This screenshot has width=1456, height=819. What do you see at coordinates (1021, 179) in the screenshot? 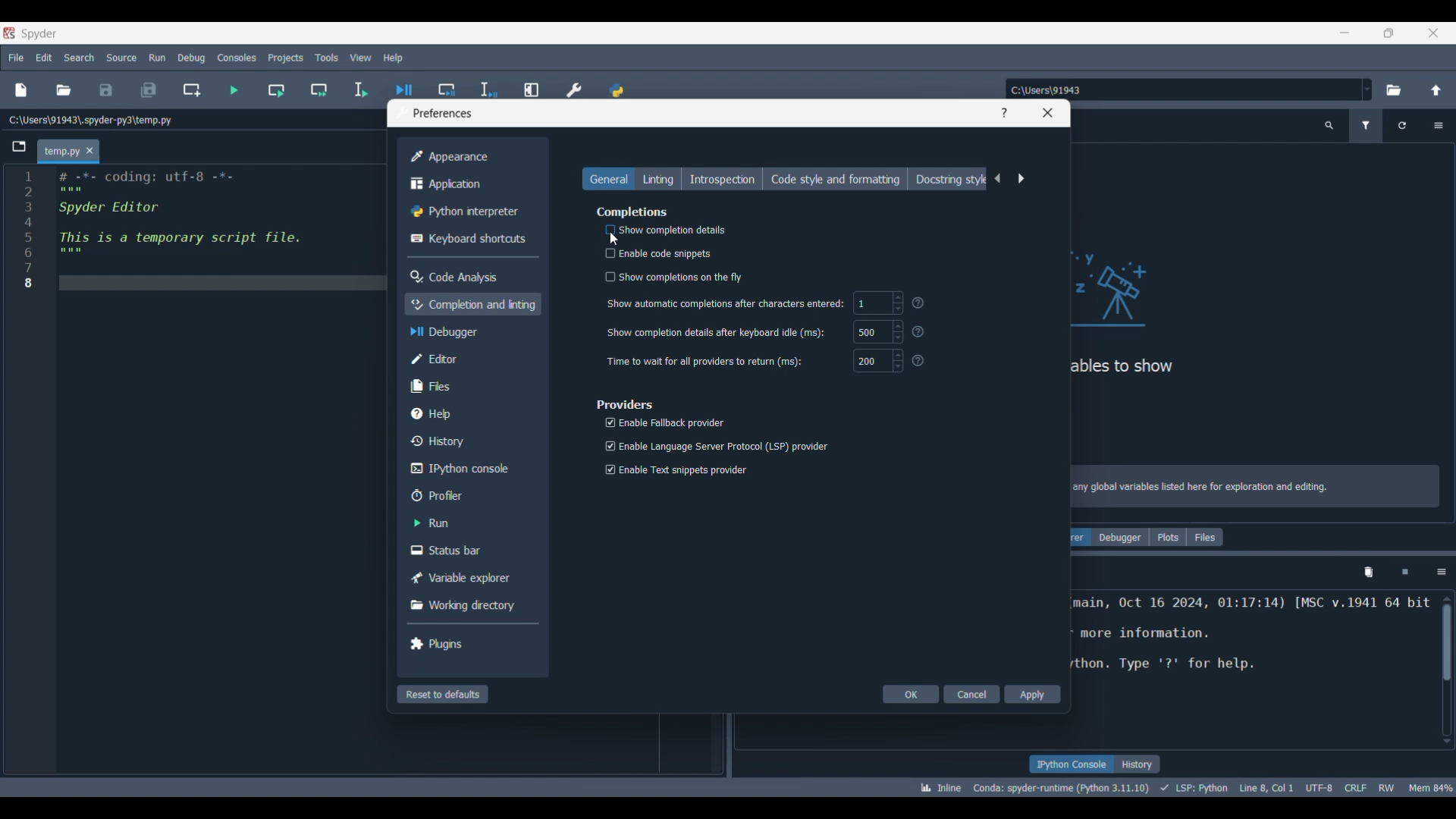
I see `Next` at bounding box center [1021, 179].